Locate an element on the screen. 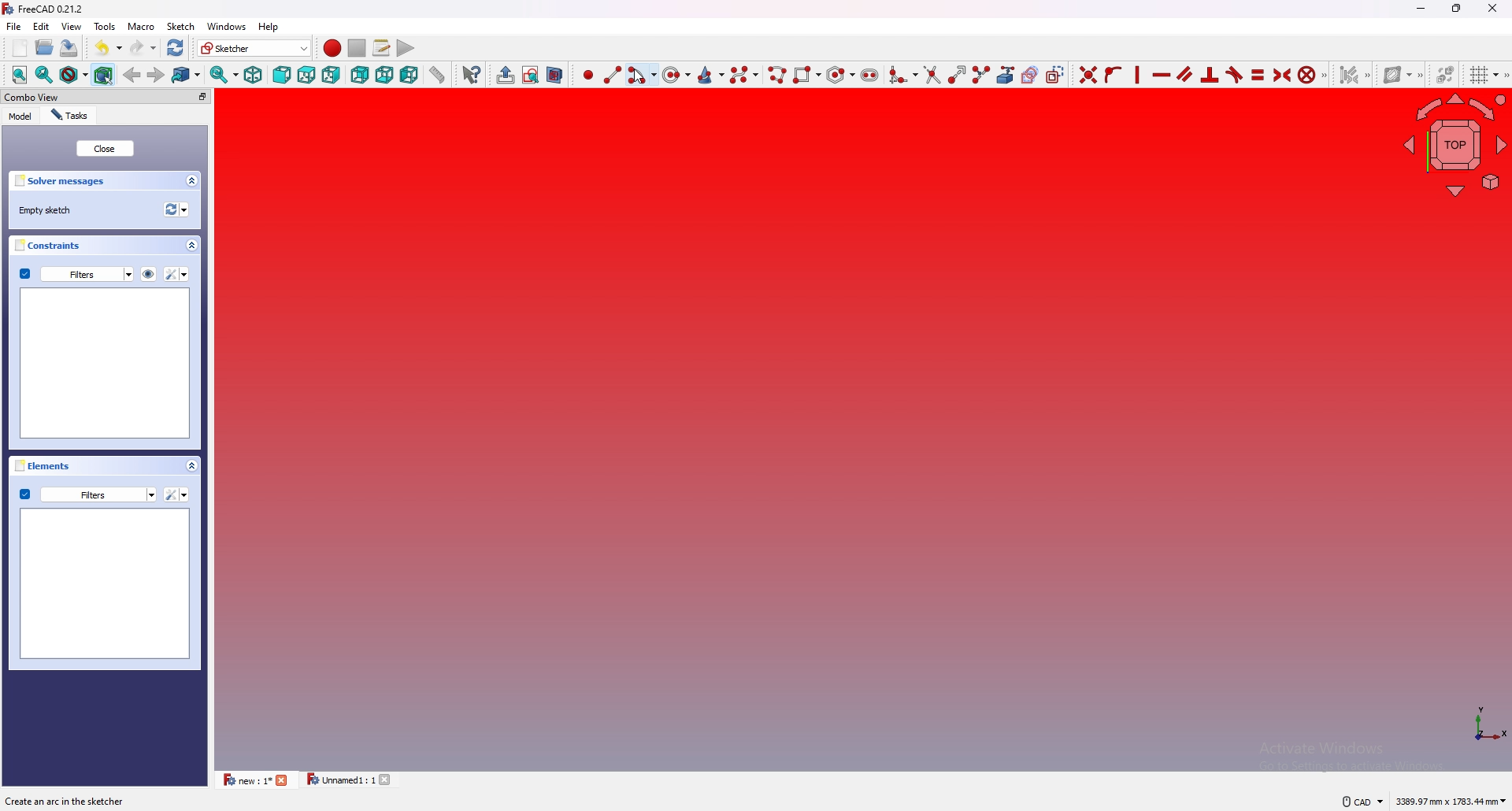 The image size is (1512, 811). create regular polygon is located at coordinates (840, 75).